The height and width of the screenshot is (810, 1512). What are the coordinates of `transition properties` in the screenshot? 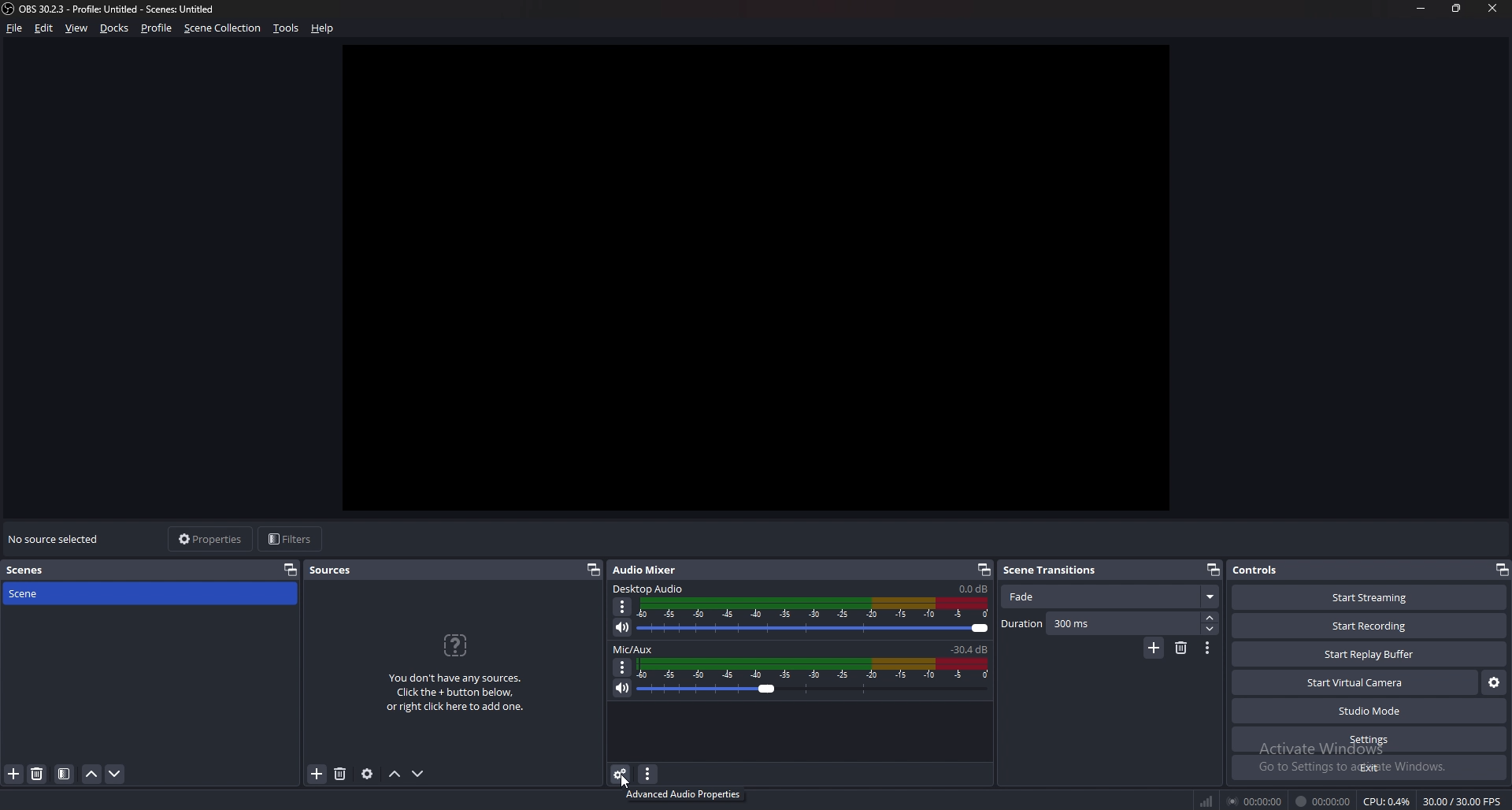 It's located at (1207, 648).